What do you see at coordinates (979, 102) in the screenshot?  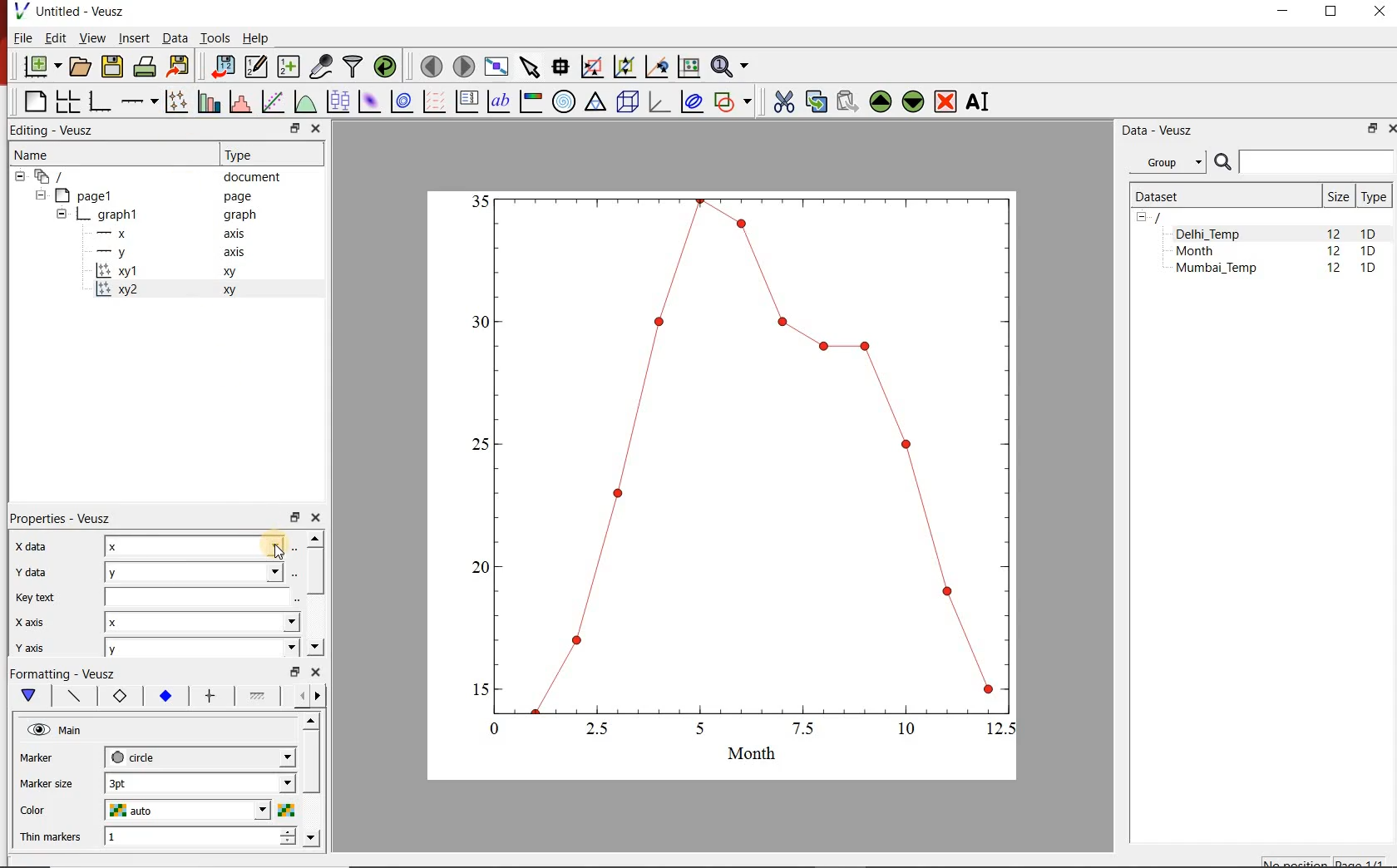 I see `renames the selected widget` at bounding box center [979, 102].